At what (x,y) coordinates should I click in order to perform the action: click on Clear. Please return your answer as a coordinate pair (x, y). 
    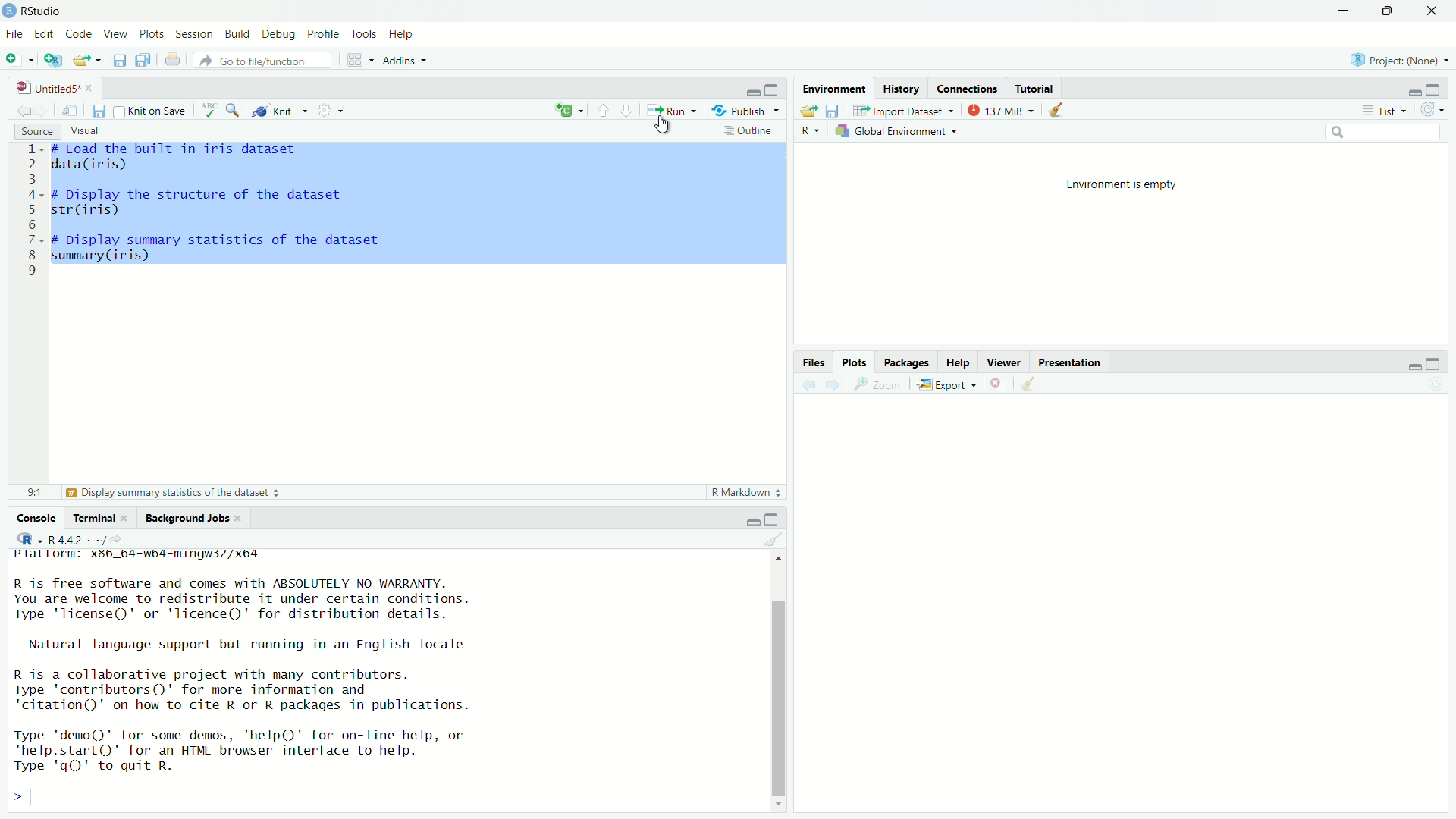
    Looking at the image, I should click on (776, 537).